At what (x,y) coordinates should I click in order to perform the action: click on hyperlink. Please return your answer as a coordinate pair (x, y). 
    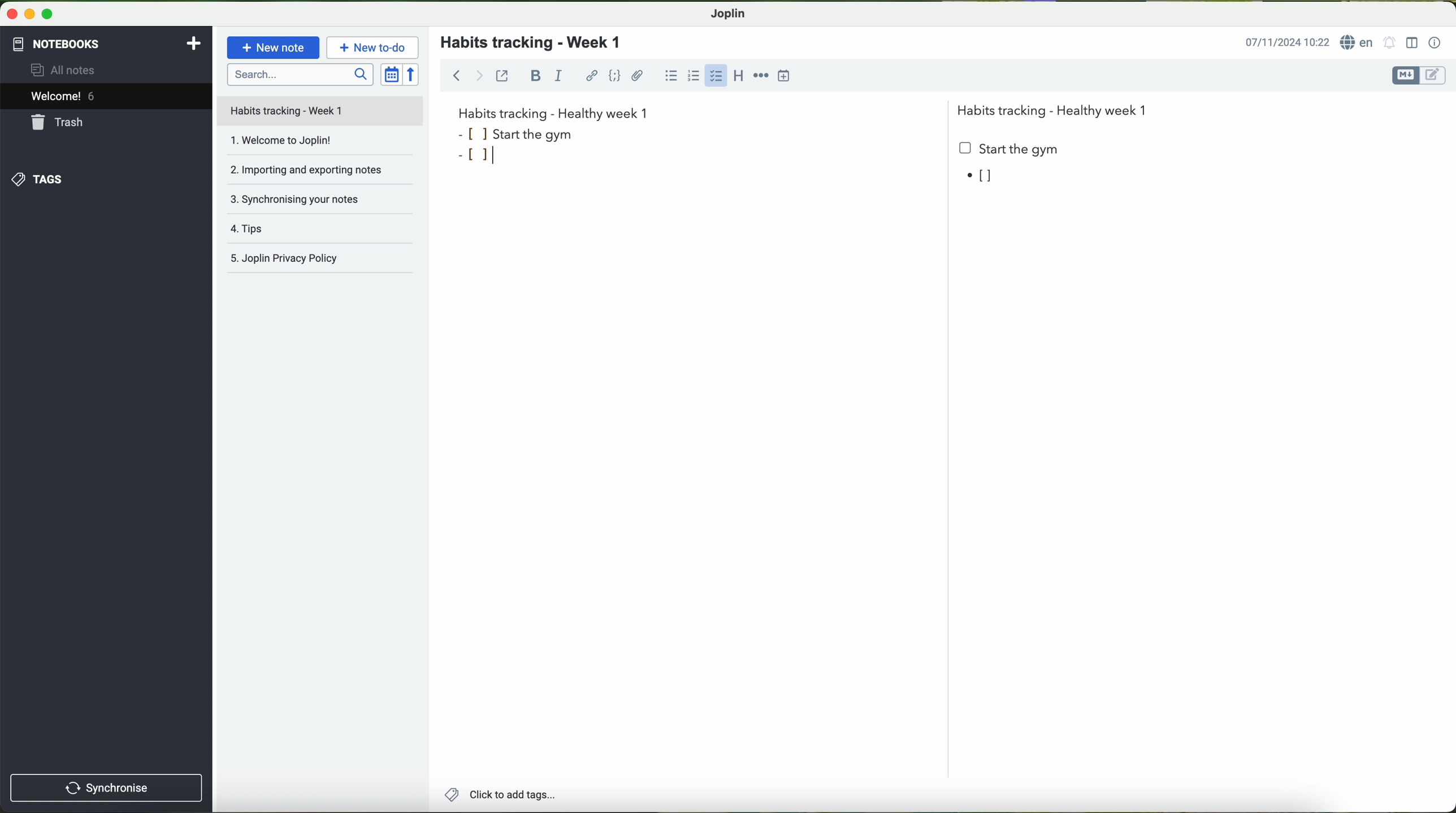
    Looking at the image, I should click on (592, 76).